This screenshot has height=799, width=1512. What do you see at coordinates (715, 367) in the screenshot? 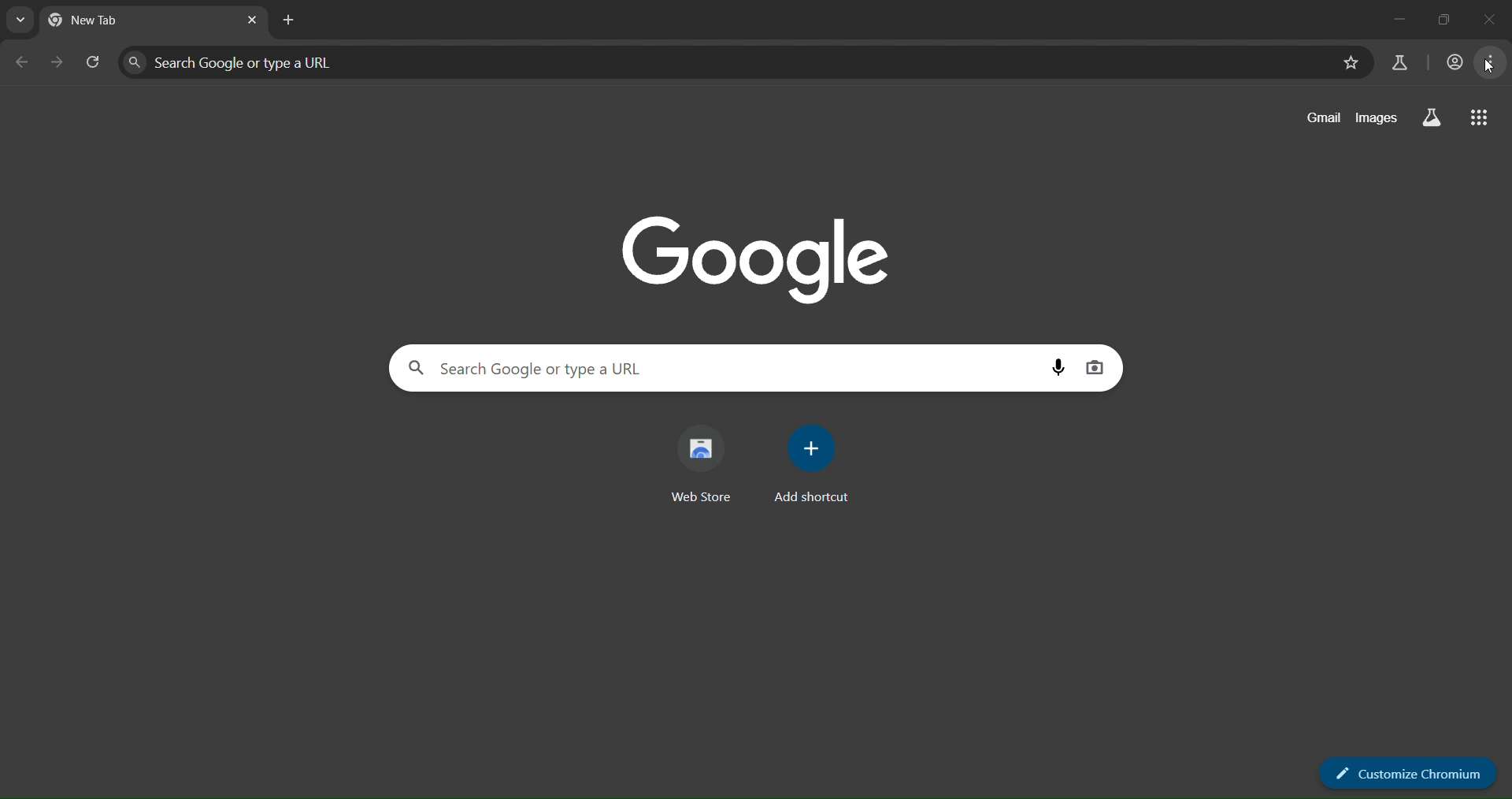
I see `search panel` at bounding box center [715, 367].